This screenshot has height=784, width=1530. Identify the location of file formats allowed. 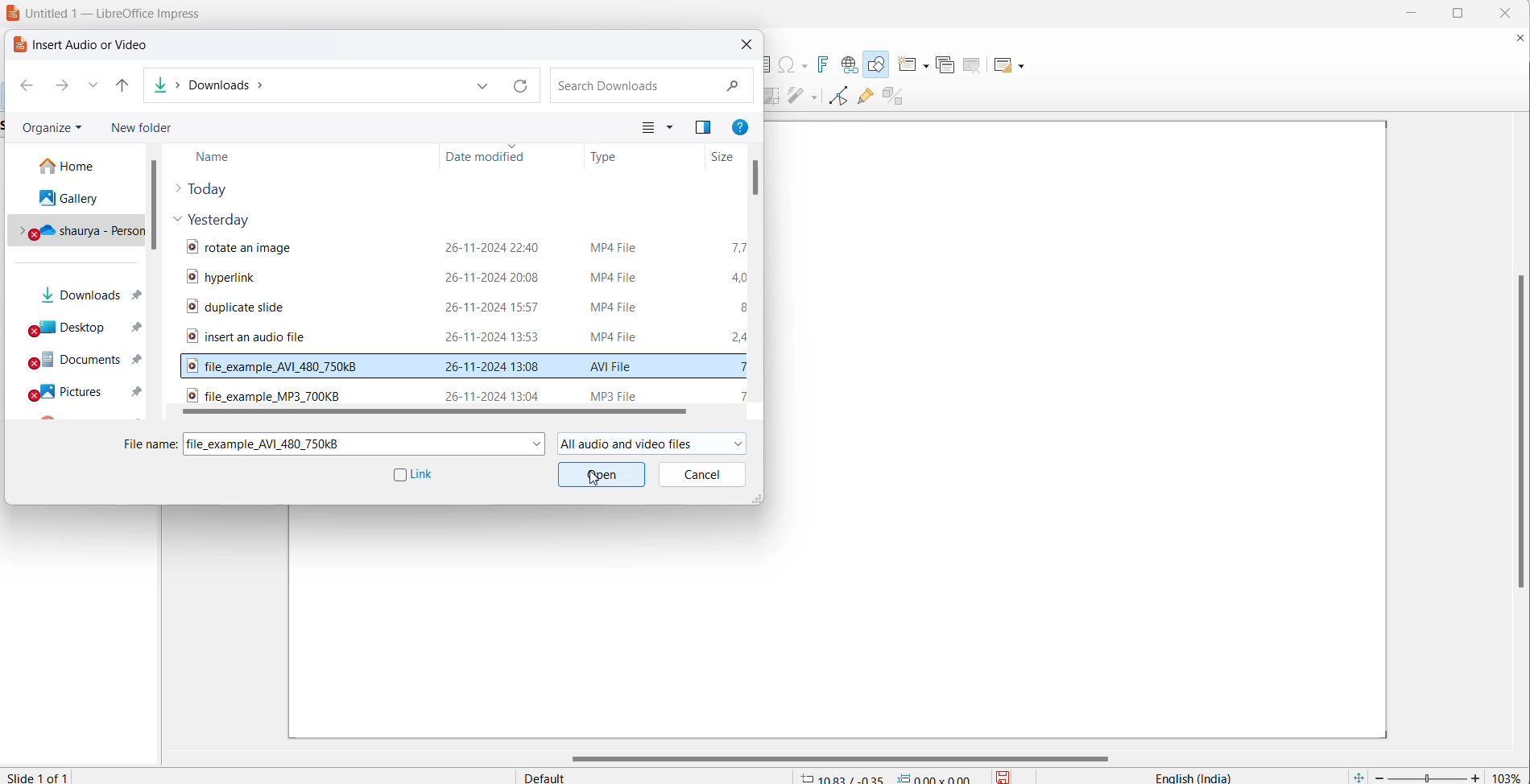
(653, 444).